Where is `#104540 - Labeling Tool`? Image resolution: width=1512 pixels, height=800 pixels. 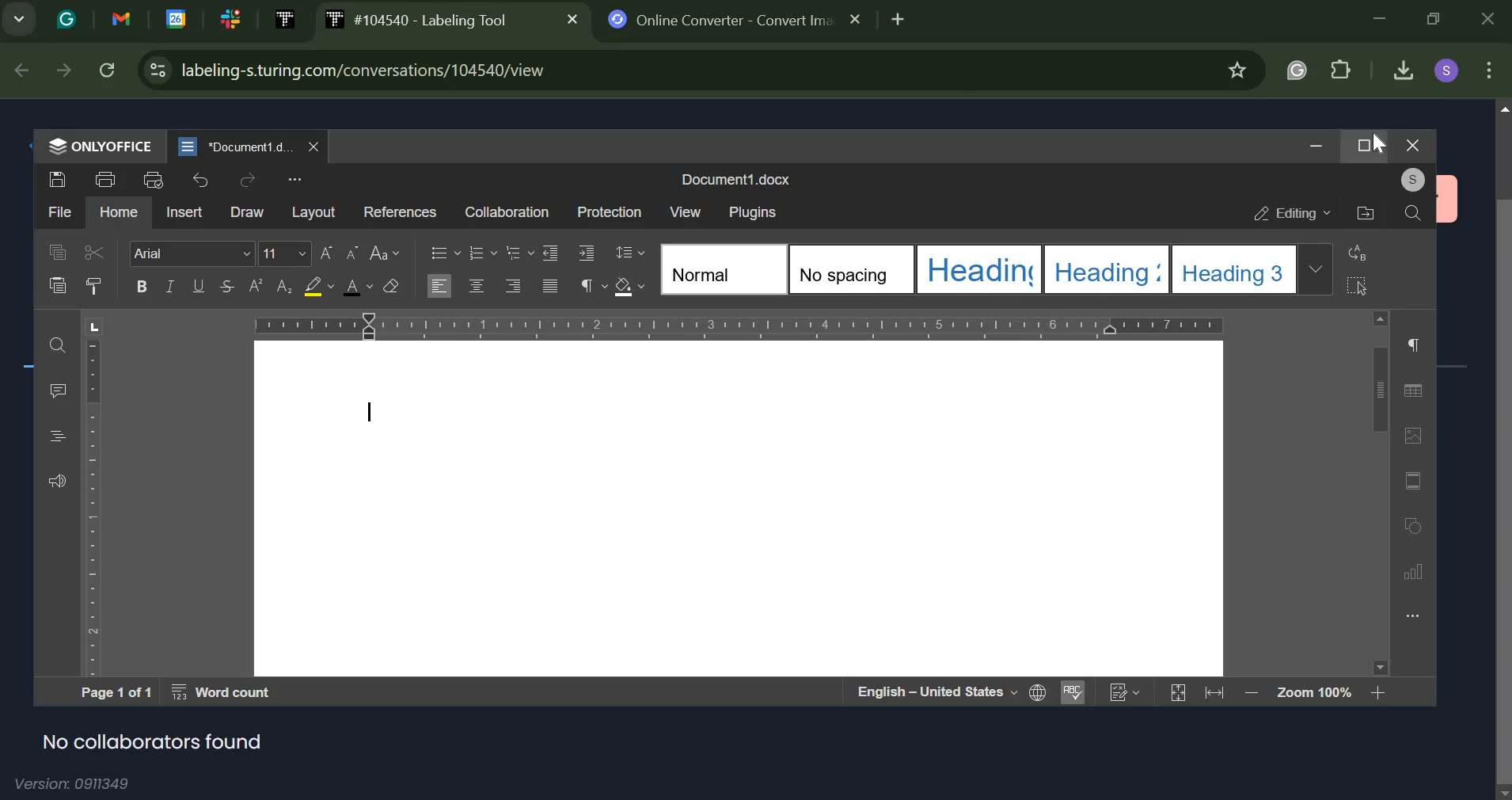
#104540 - Labeling Tool is located at coordinates (449, 20).